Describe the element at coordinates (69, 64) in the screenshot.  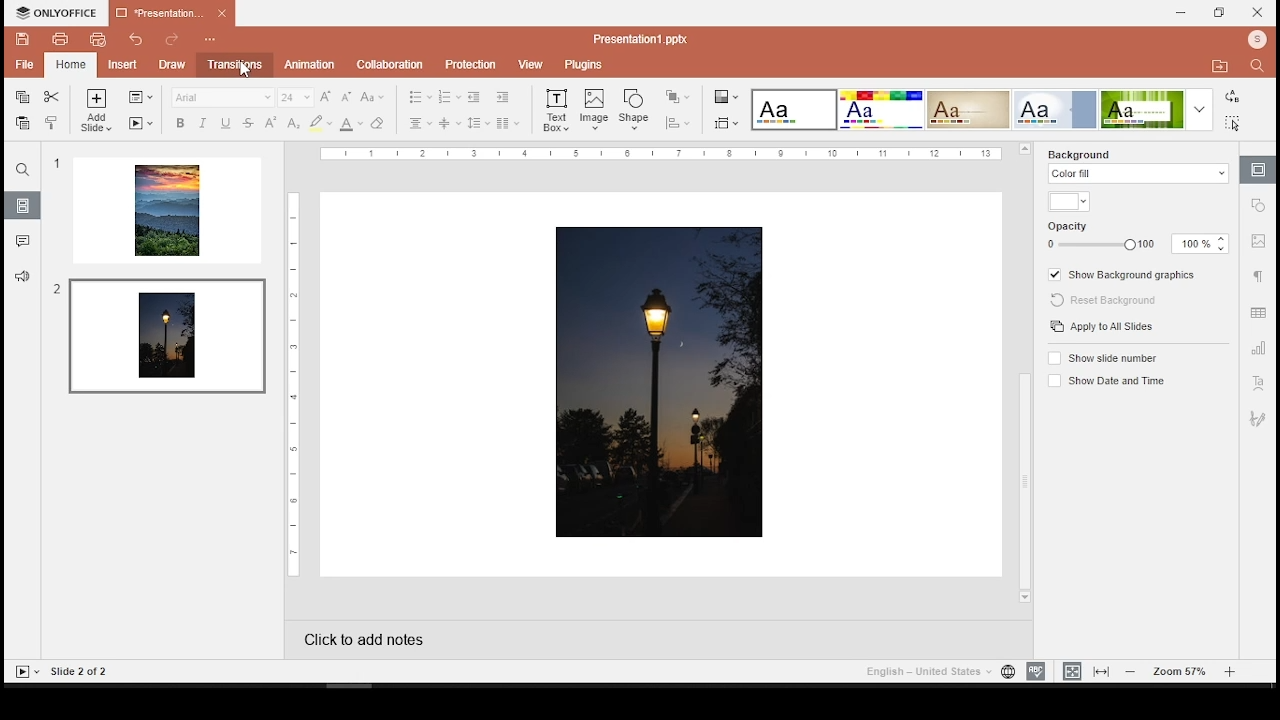
I see `quick print` at that location.